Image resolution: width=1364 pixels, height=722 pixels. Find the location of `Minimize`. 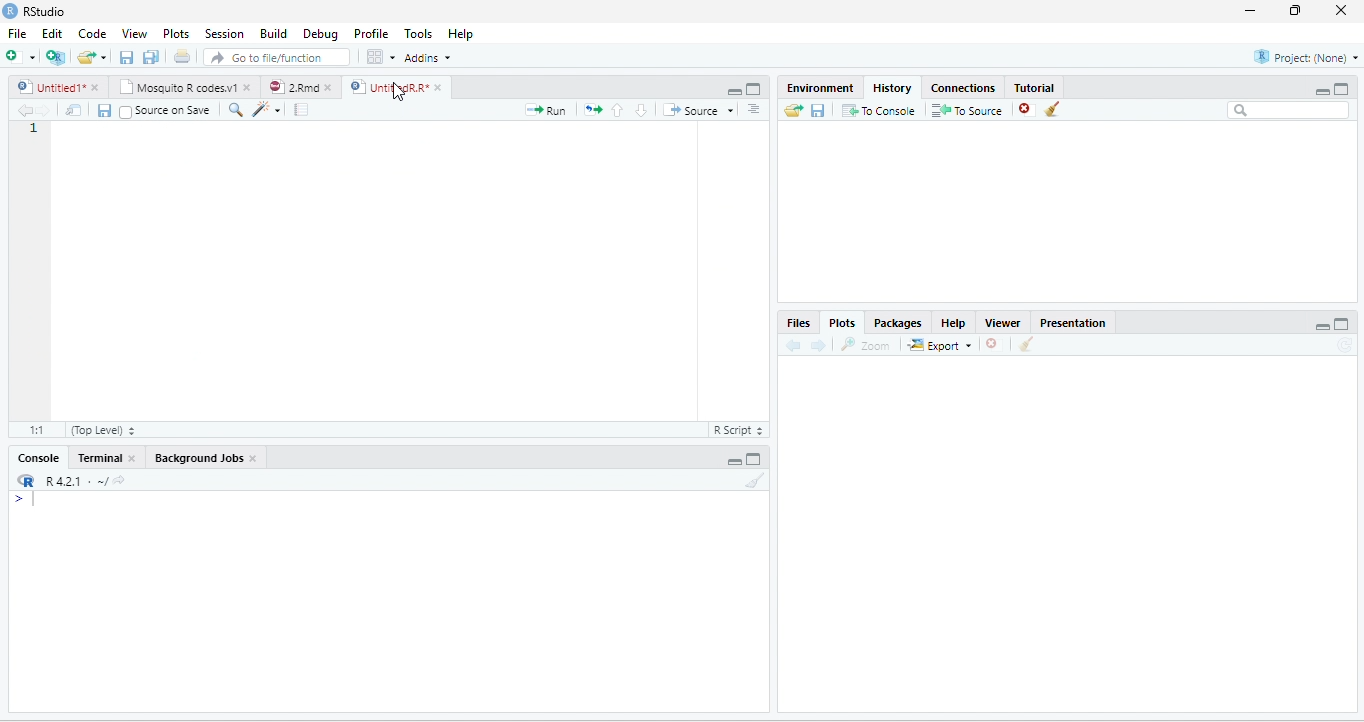

Minimize is located at coordinates (1322, 326).